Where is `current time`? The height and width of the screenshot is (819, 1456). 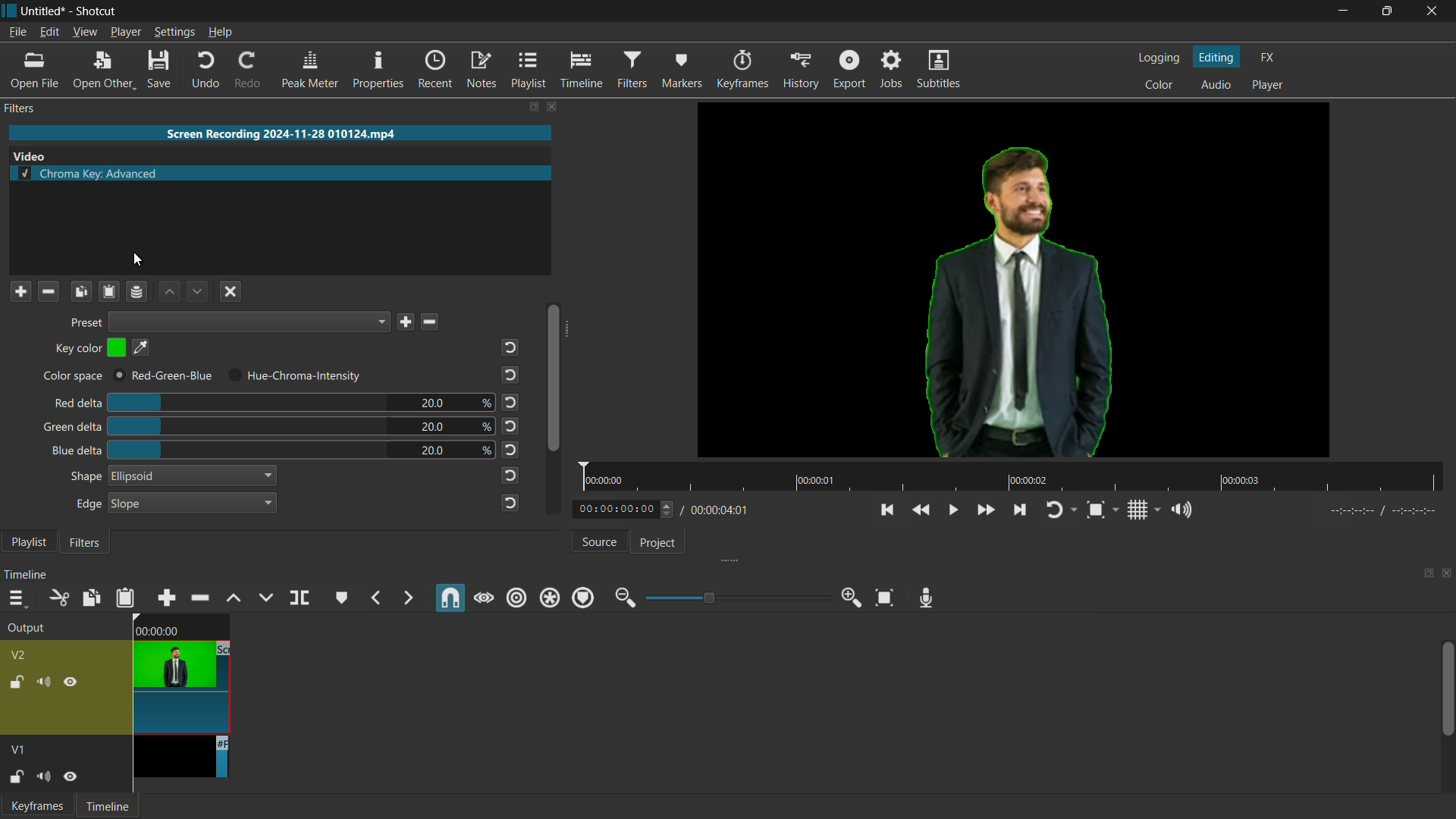 current time is located at coordinates (616, 508).